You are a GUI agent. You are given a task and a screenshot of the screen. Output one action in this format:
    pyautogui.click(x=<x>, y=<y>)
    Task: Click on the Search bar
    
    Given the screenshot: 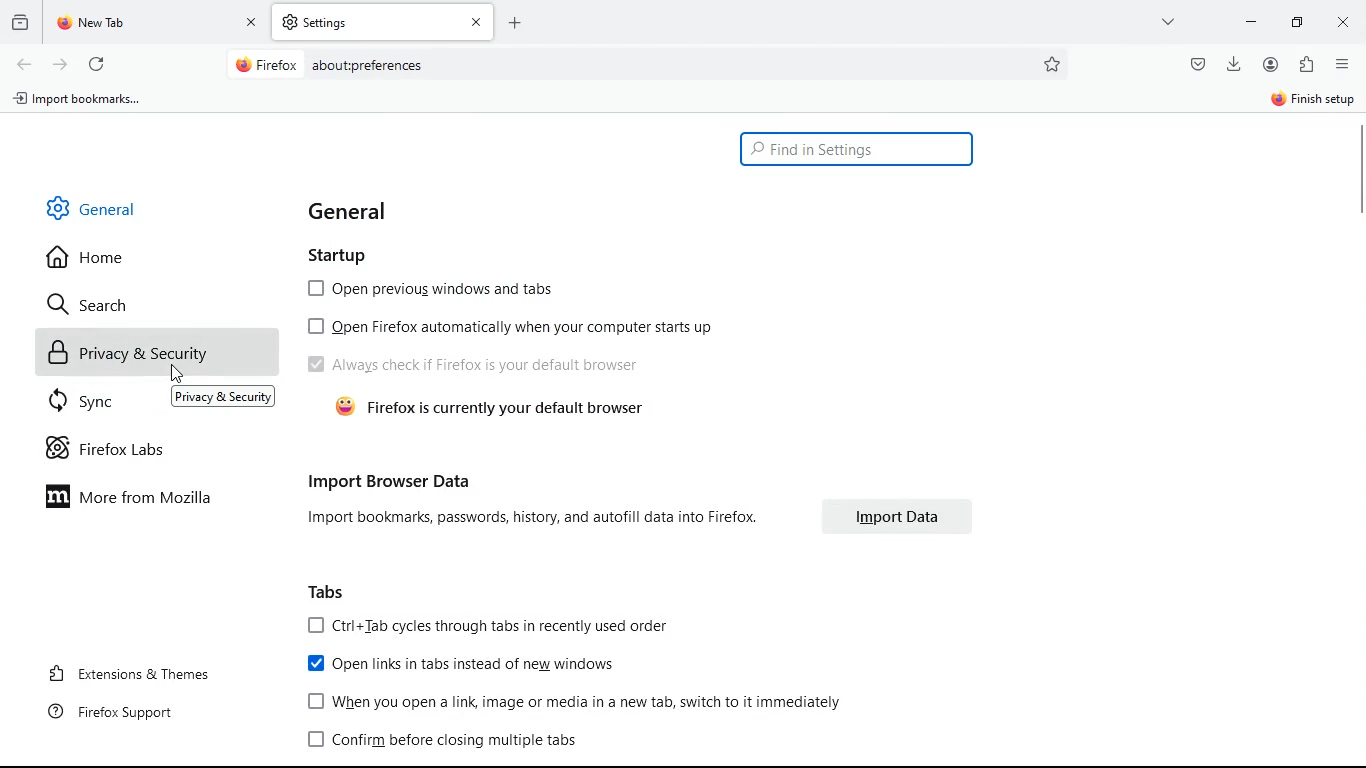 What is the action you would take?
    pyautogui.click(x=649, y=64)
    